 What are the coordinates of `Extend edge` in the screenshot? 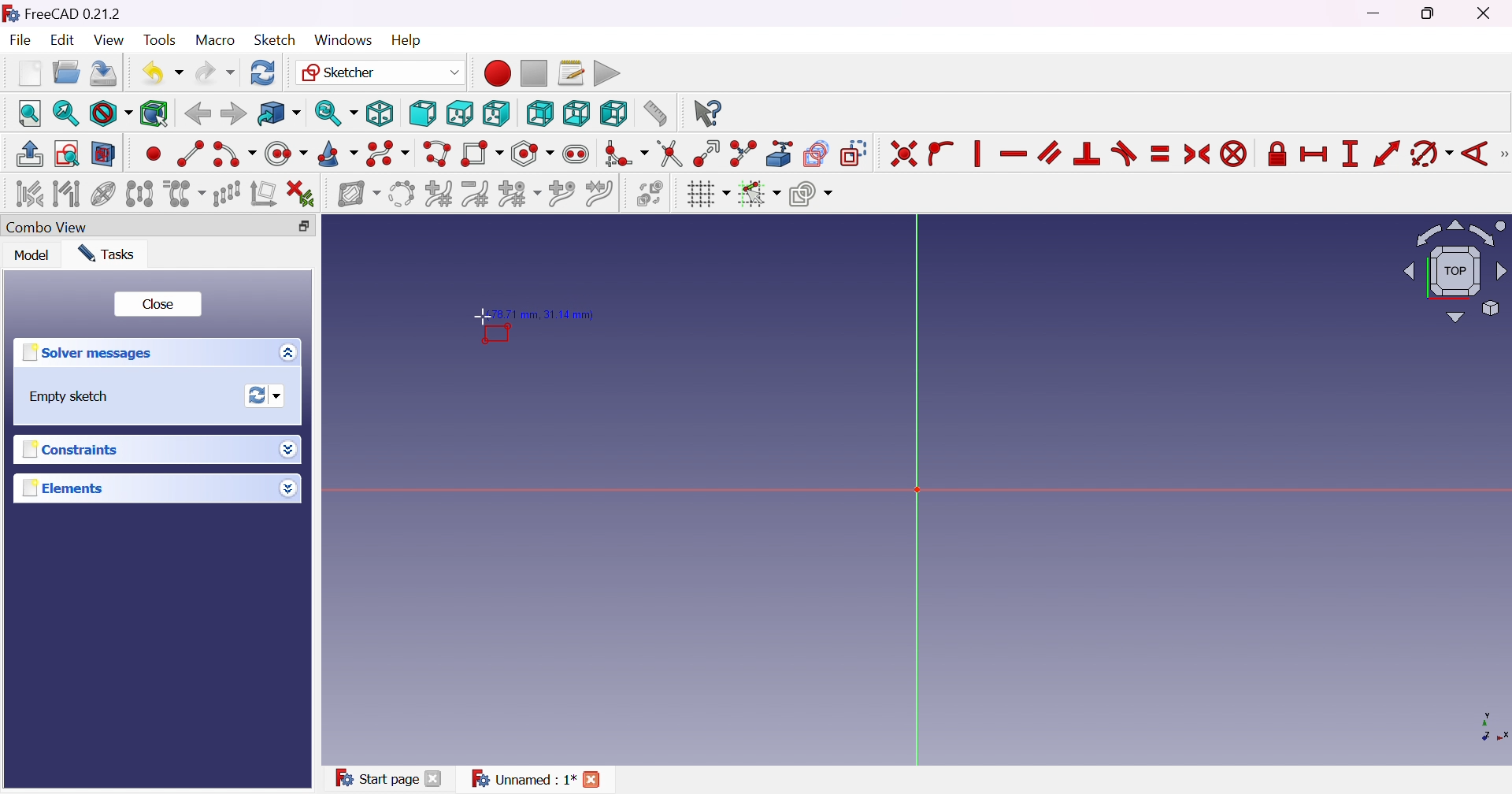 It's located at (708, 155).